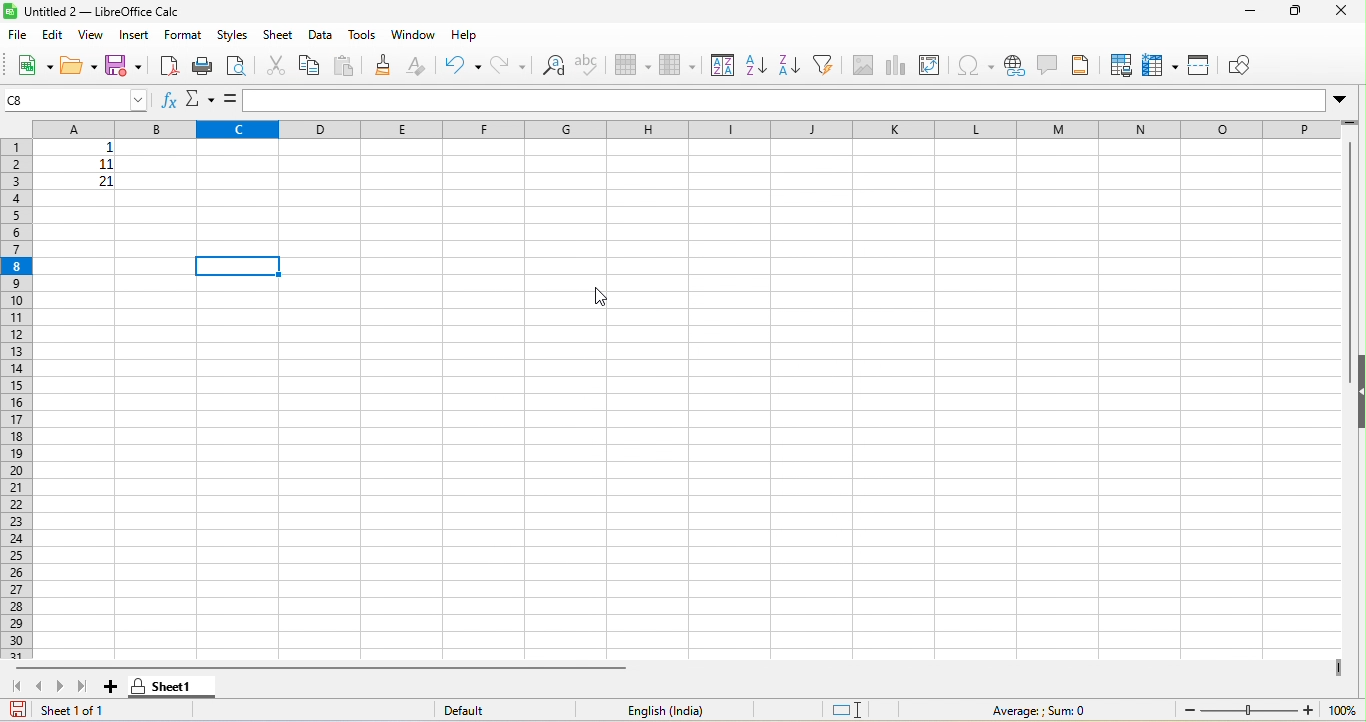 This screenshot has height=722, width=1366. I want to click on cut, so click(278, 66).